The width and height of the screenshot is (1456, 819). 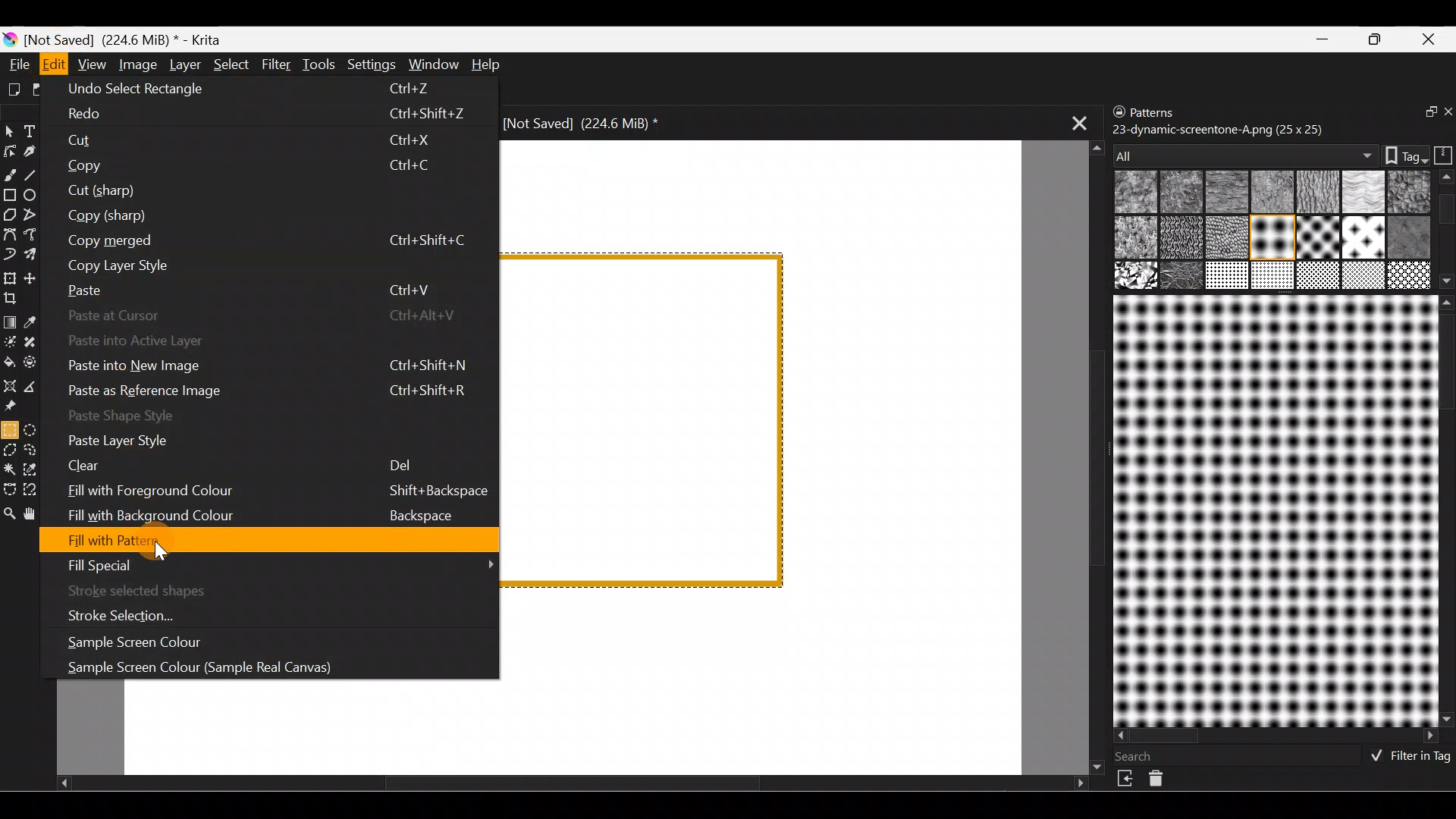 What do you see at coordinates (9, 132) in the screenshot?
I see `Select shapes` at bounding box center [9, 132].